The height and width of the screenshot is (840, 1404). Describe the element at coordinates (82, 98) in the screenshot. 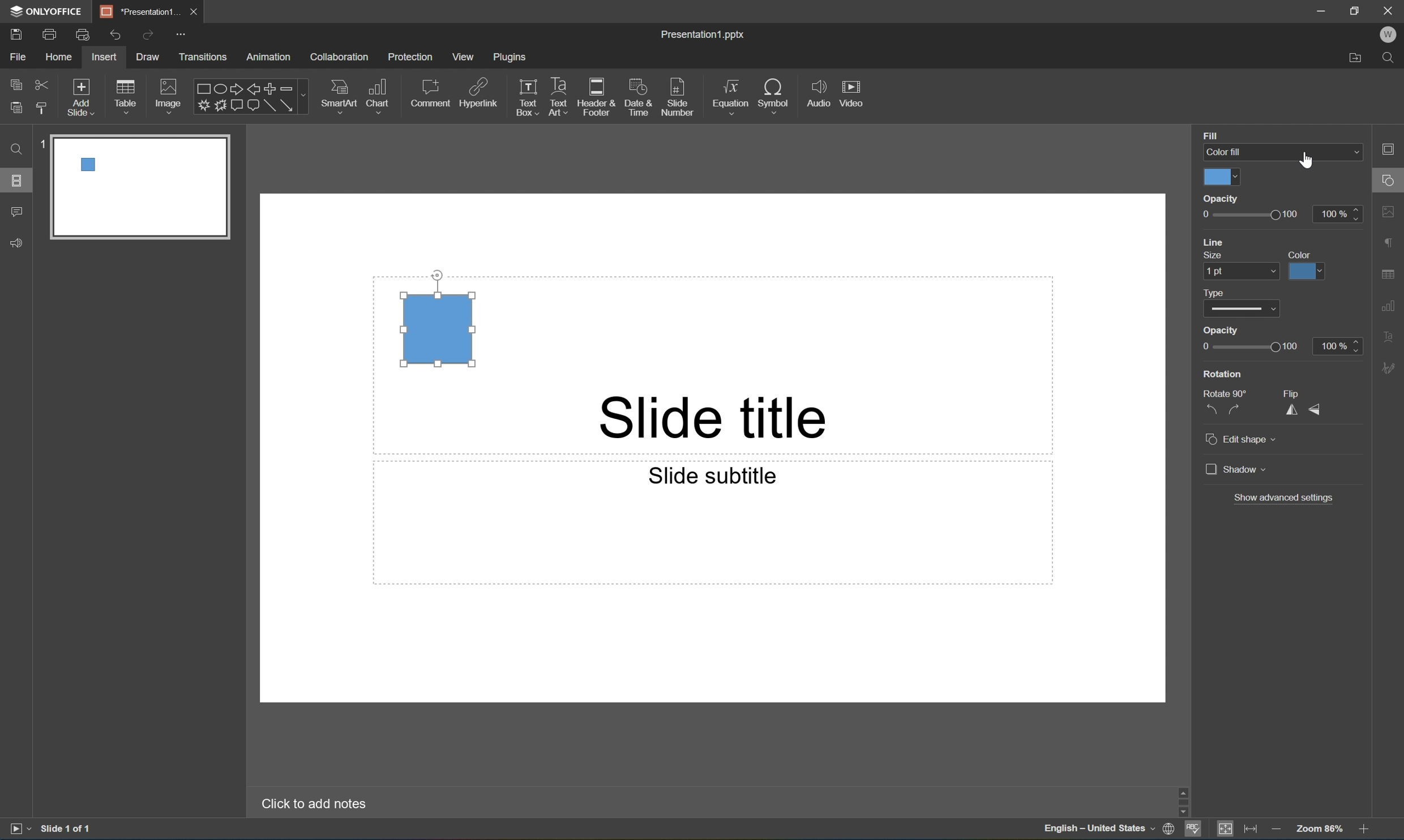

I see `Add Slide` at that location.